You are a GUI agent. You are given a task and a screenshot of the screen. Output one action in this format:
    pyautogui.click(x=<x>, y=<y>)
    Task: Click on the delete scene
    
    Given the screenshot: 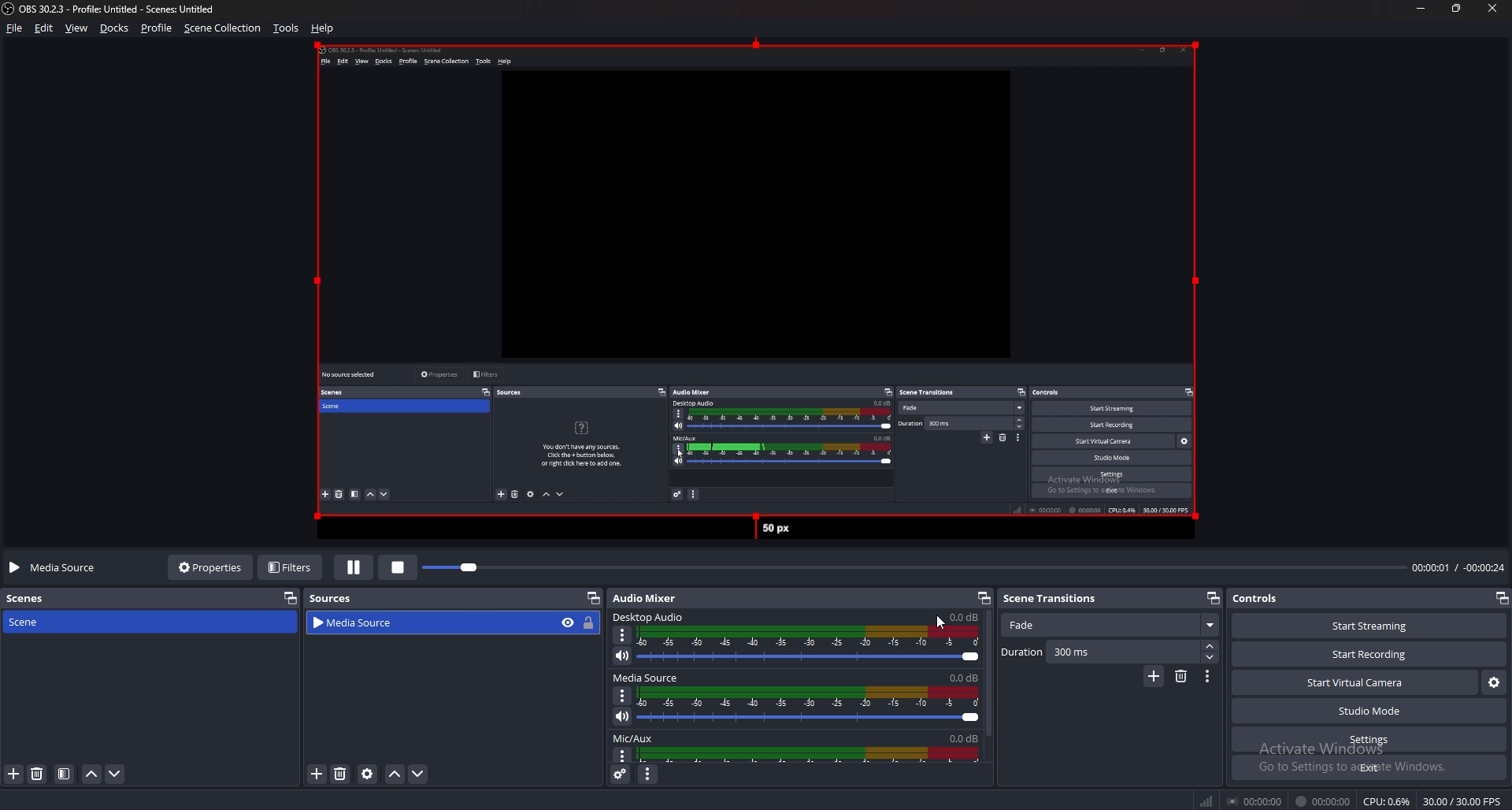 What is the action you would take?
    pyautogui.click(x=38, y=773)
    